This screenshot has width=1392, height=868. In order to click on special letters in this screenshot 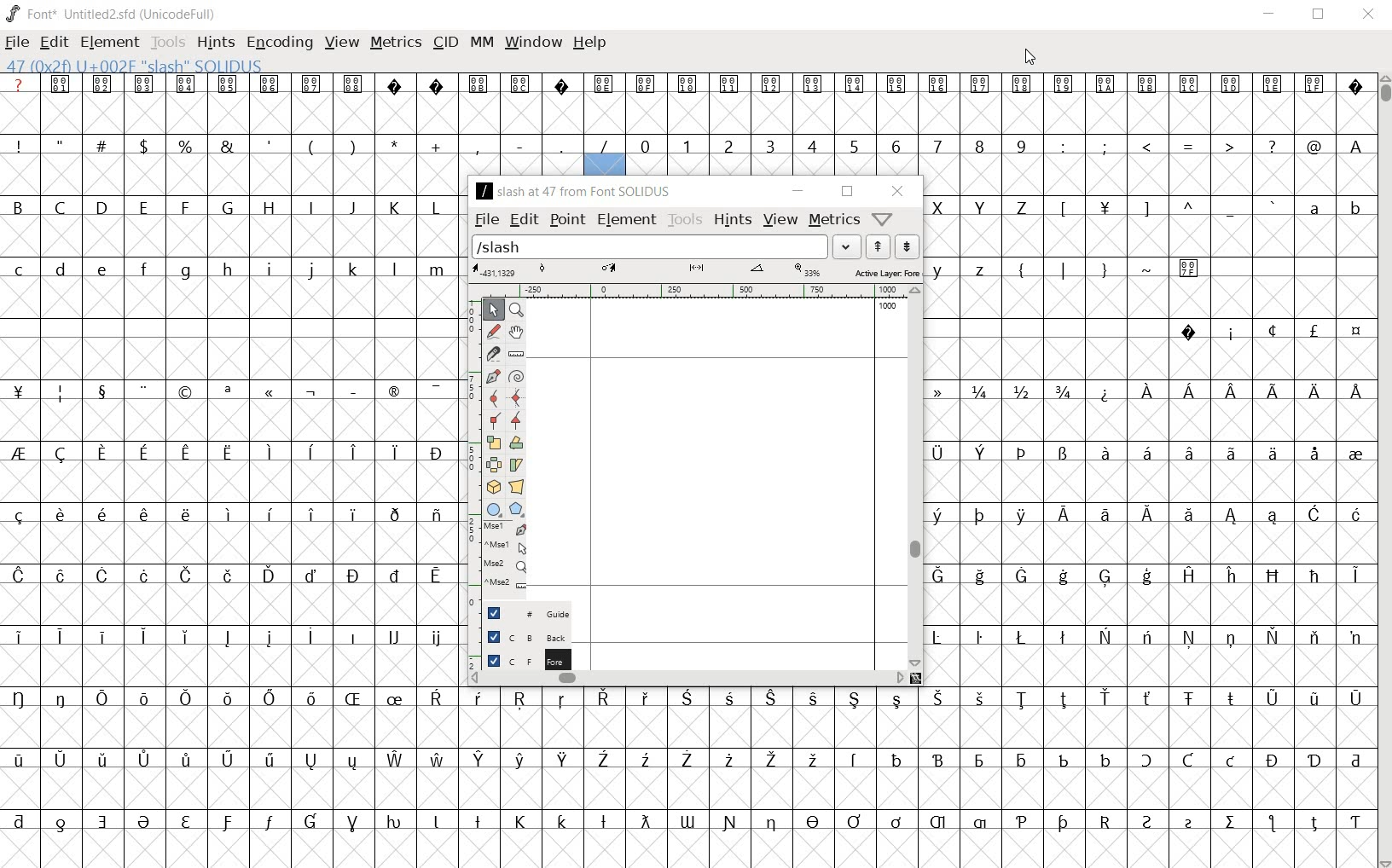, I will do `click(235, 638)`.